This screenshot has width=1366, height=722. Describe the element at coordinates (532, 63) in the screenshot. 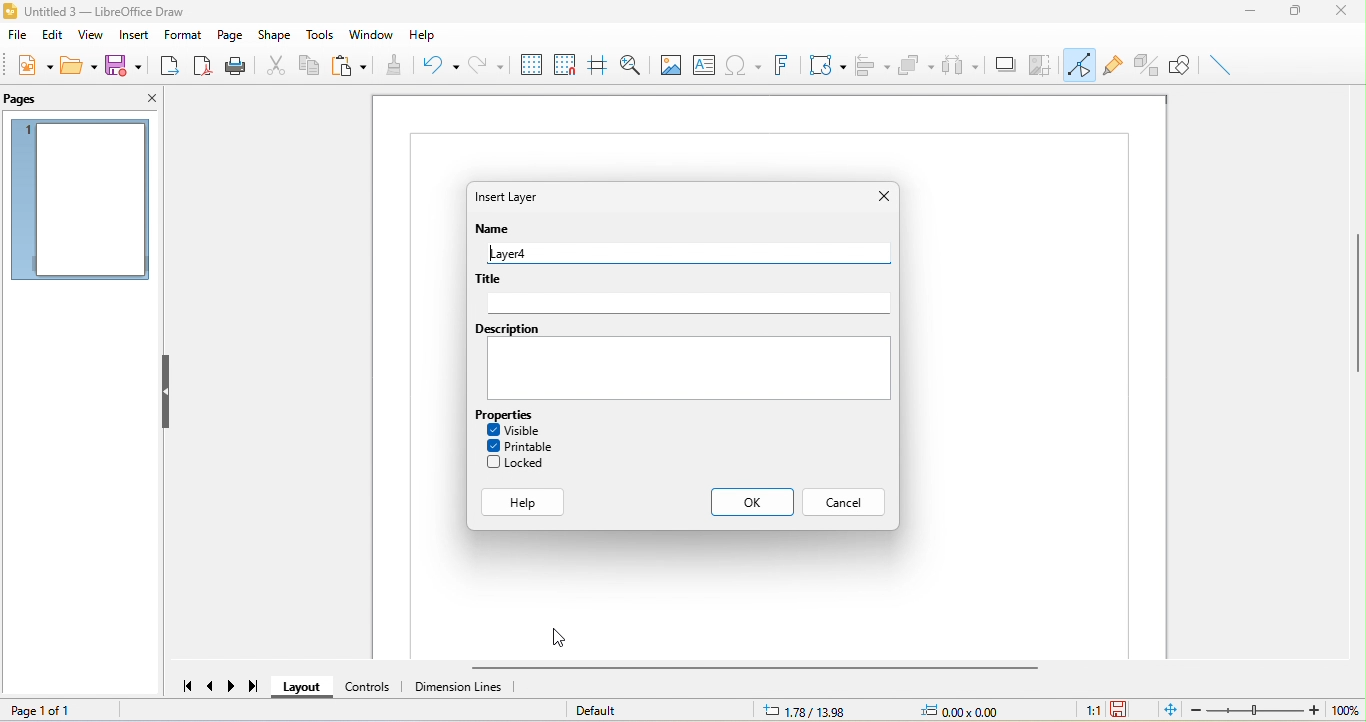

I see `display to grid` at that location.